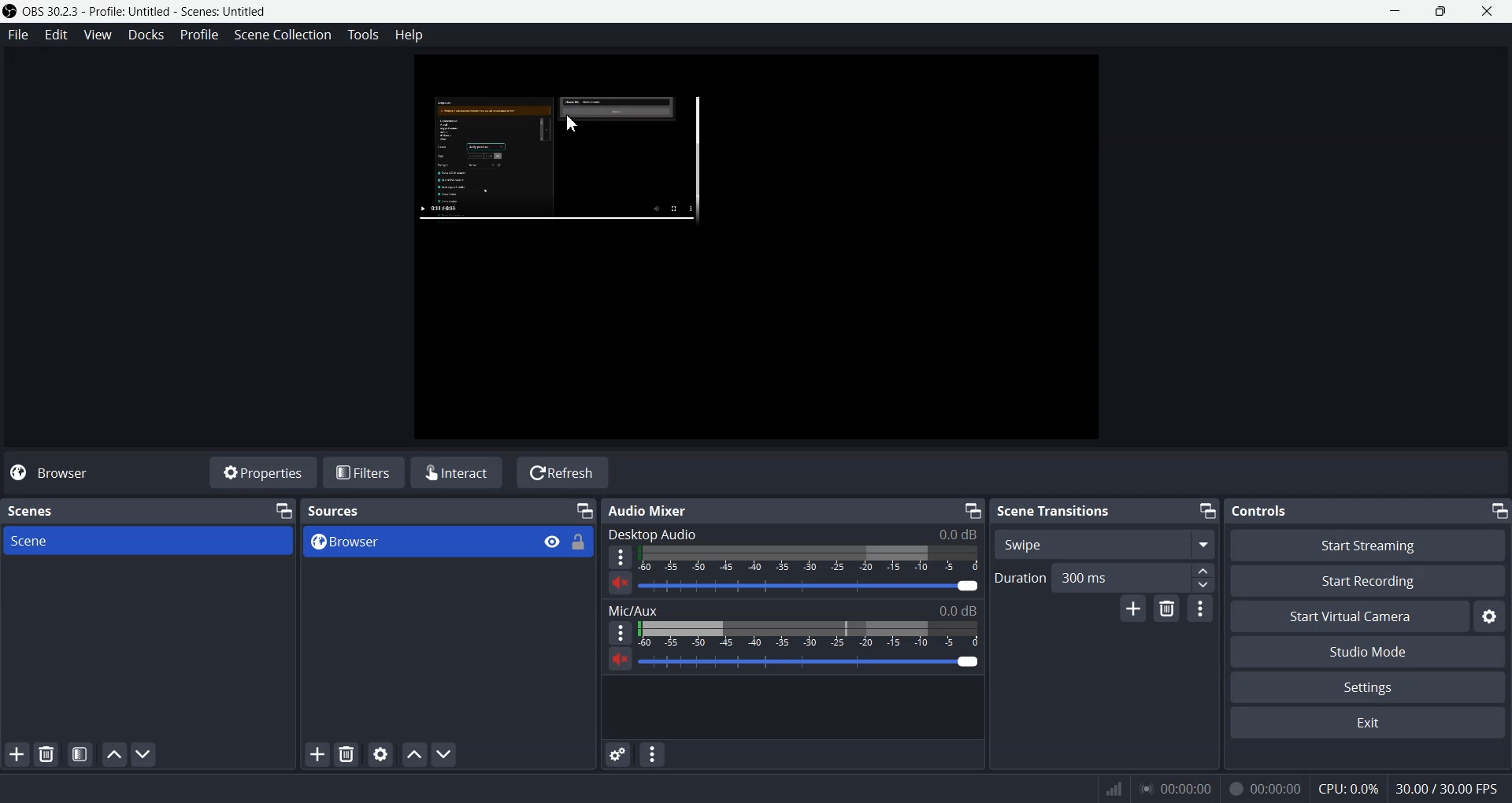  Describe the element at coordinates (1201, 611) in the screenshot. I see `Transition properties` at that location.